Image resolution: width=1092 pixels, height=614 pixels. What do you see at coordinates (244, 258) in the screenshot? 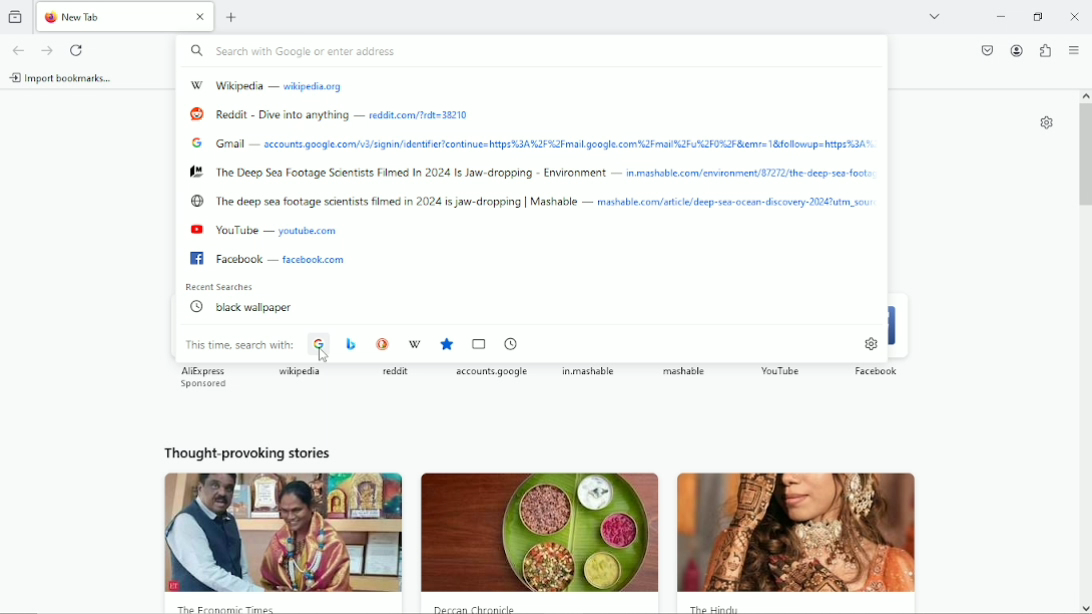
I see `facebook` at bounding box center [244, 258].